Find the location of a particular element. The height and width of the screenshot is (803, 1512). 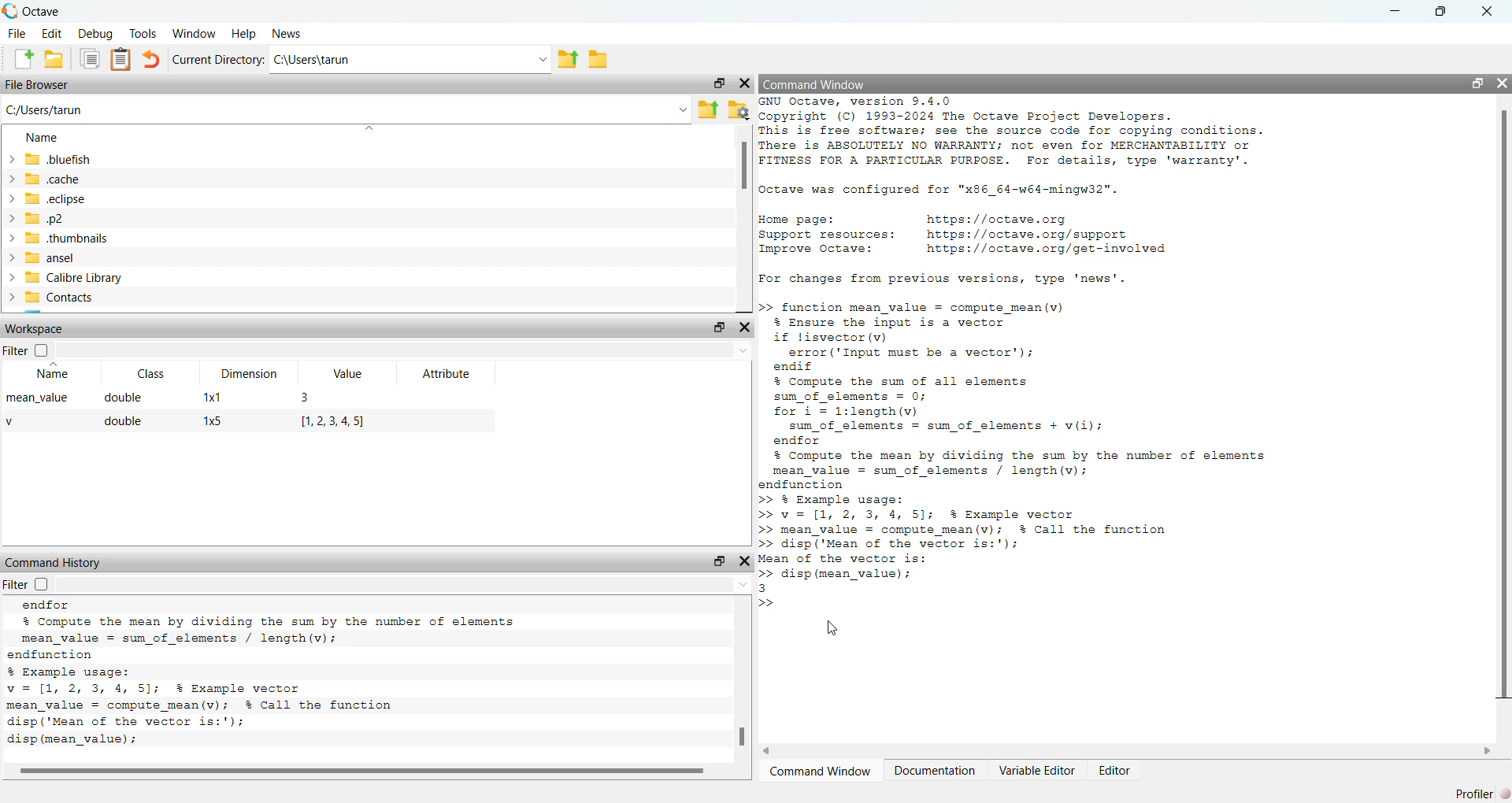

Dimension is located at coordinates (249, 373).